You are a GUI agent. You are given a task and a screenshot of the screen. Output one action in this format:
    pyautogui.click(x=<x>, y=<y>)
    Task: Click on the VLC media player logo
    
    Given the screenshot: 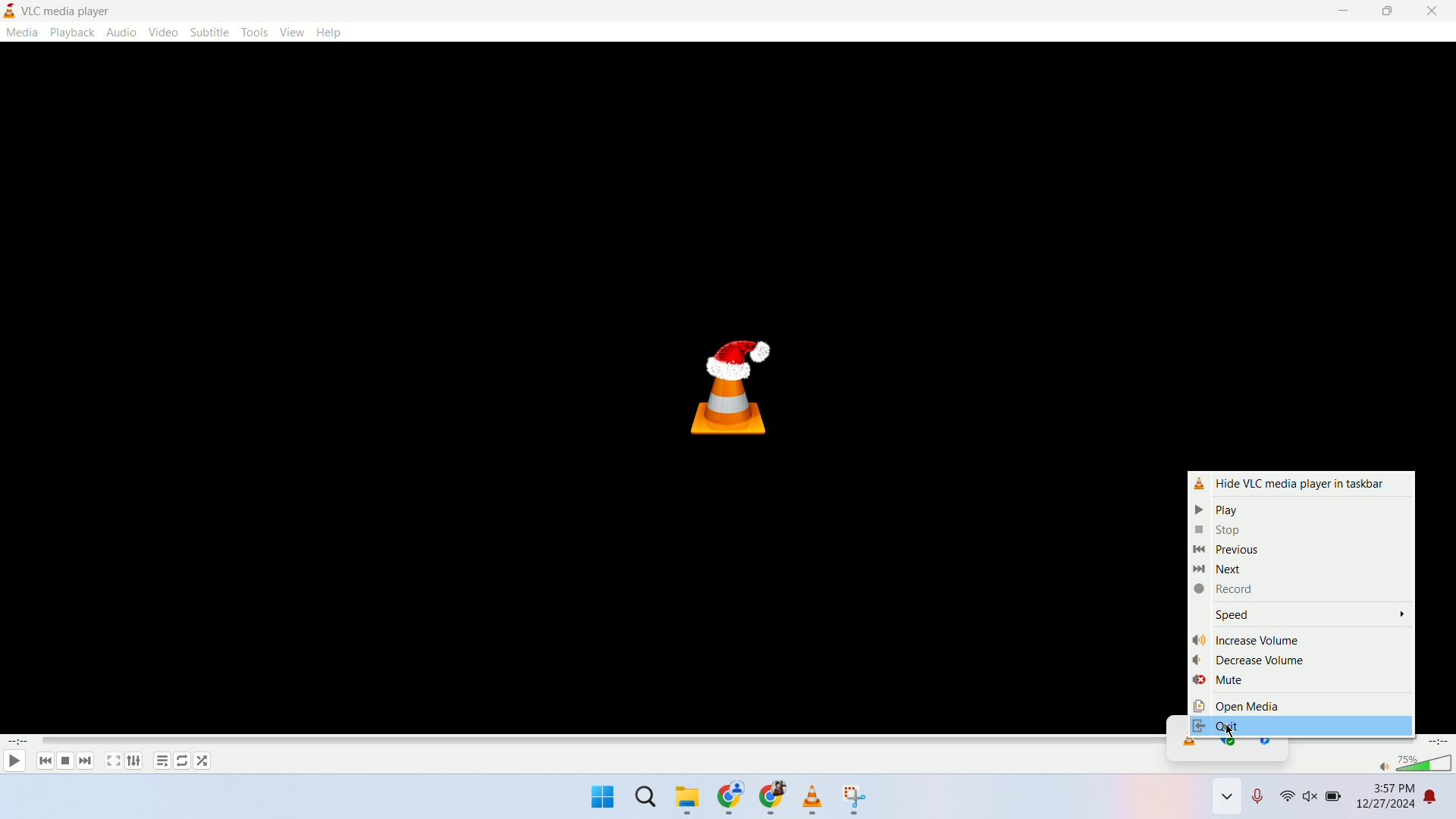 What is the action you would take?
    pyautogui.click(x=734, y=389)
    